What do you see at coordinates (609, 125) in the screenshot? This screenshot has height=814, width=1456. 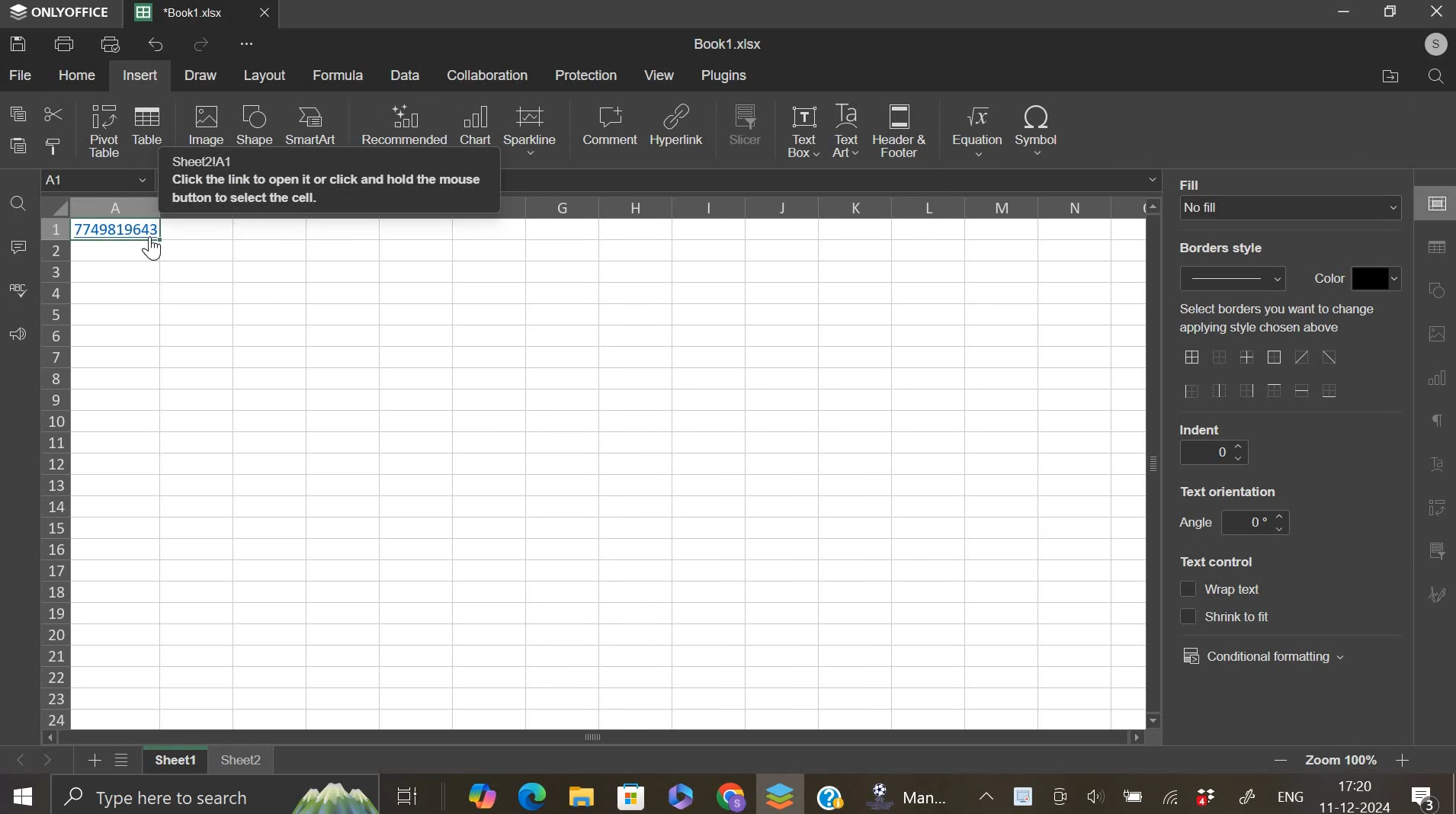 I see `comment` at bounding box center [609, 125].